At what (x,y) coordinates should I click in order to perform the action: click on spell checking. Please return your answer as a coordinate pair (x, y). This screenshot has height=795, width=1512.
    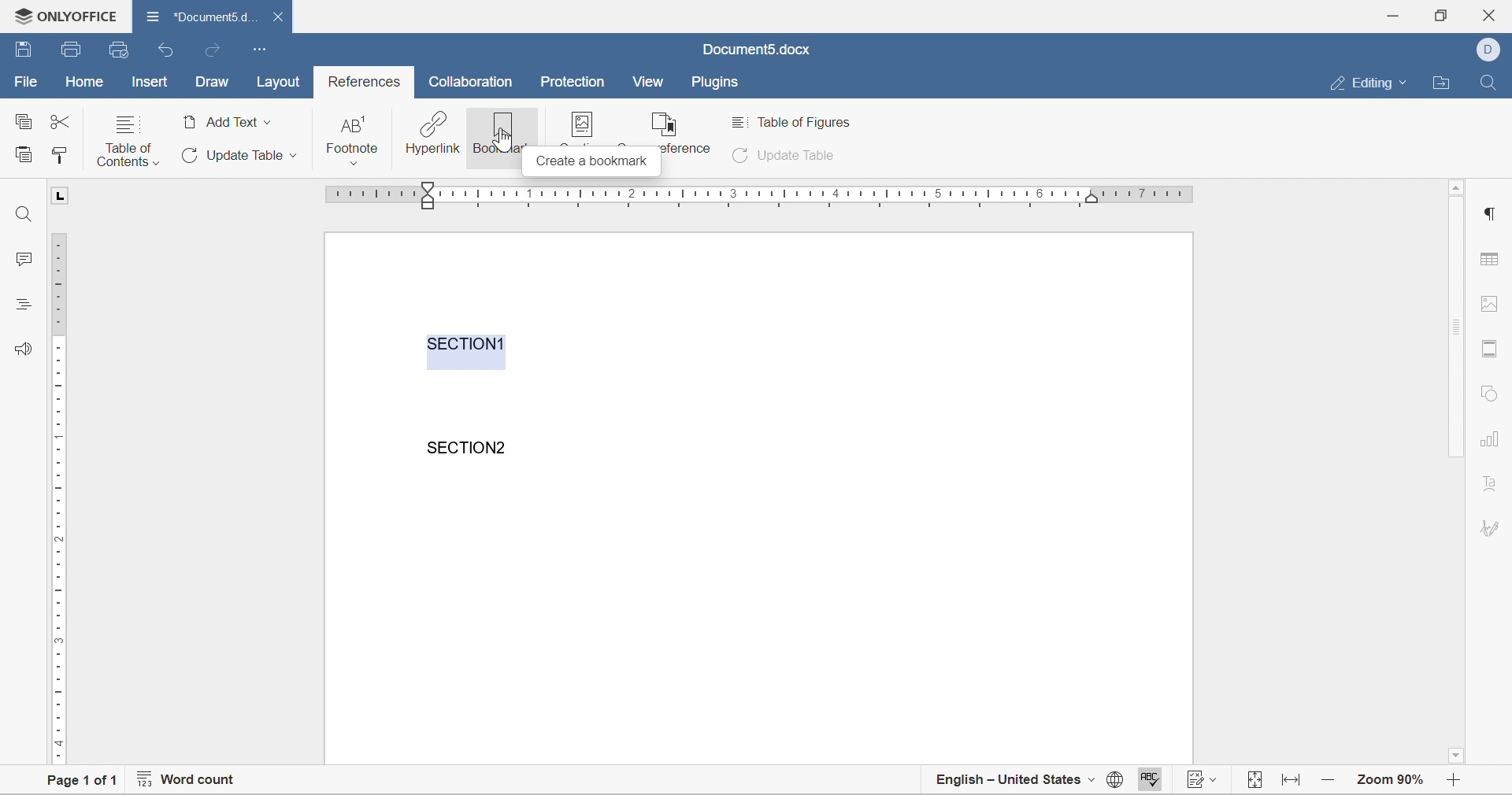
    Looking at the image, I should click on (1147, 782).